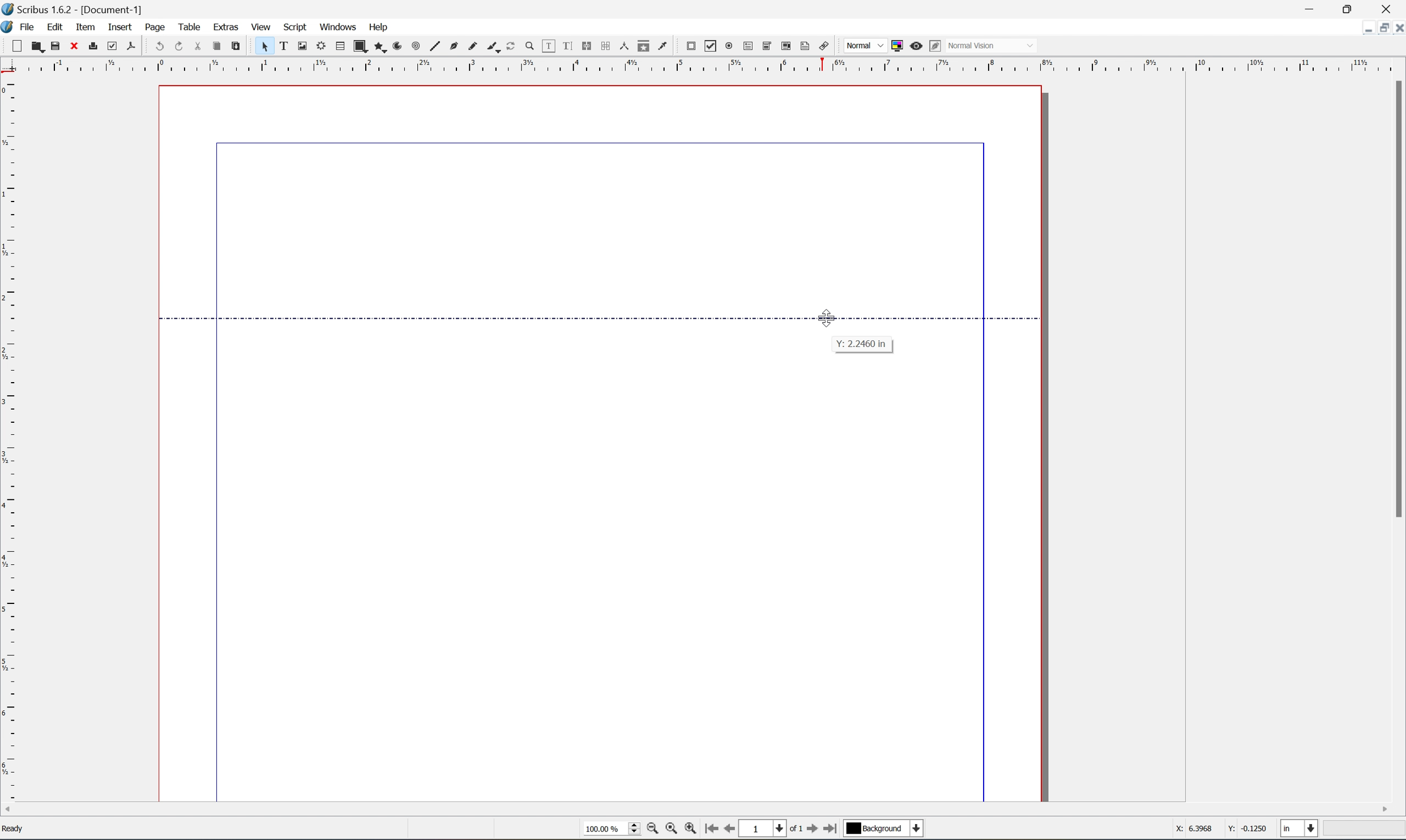 Image resolution: width=1406 pixels, height=840 pixels. Describe the element at coordinates (340, 48) in the screenshot. I see `table` at that location.